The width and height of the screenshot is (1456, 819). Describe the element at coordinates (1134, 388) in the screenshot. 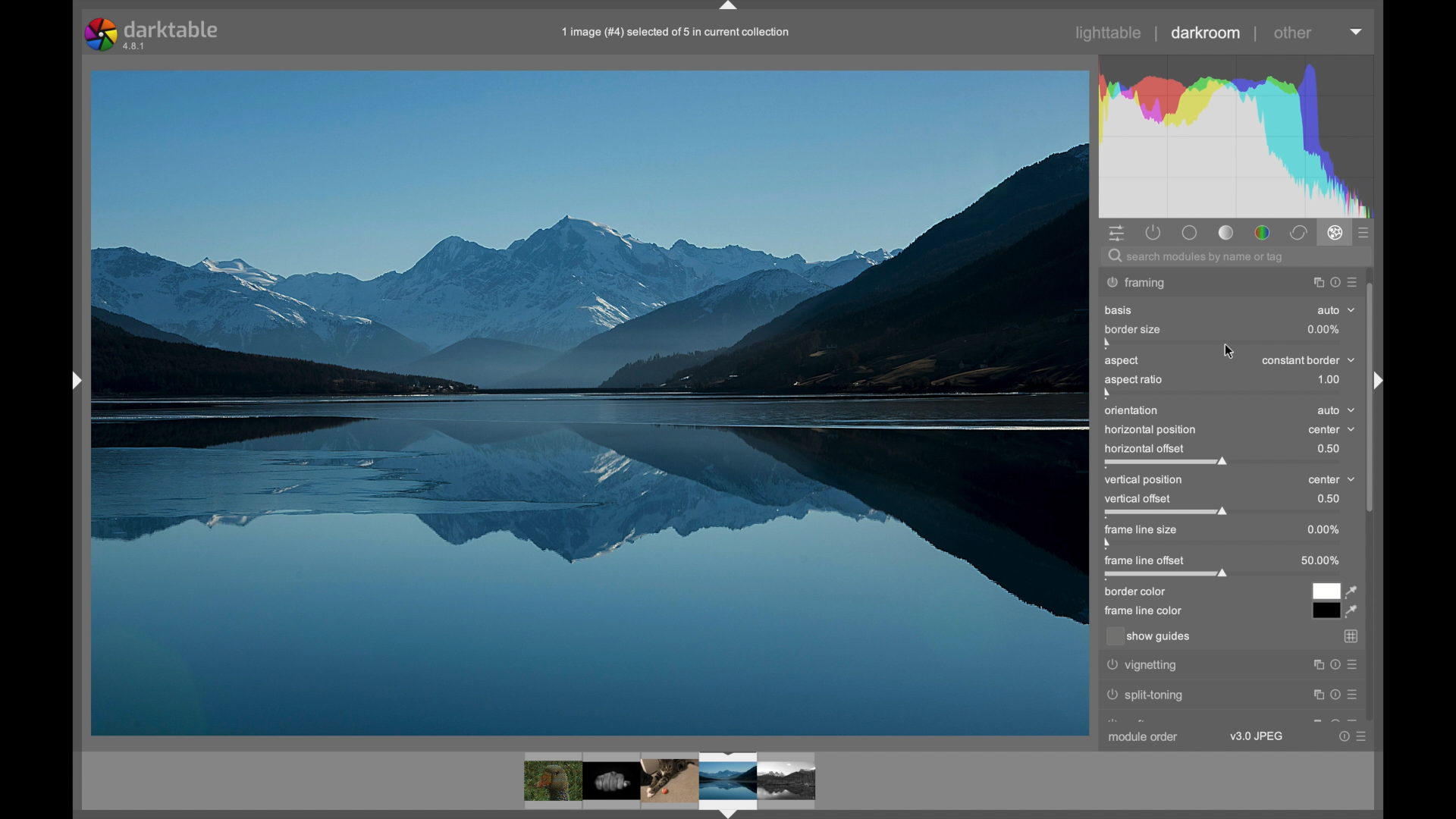

I see `aspect ratio slider` at that location.